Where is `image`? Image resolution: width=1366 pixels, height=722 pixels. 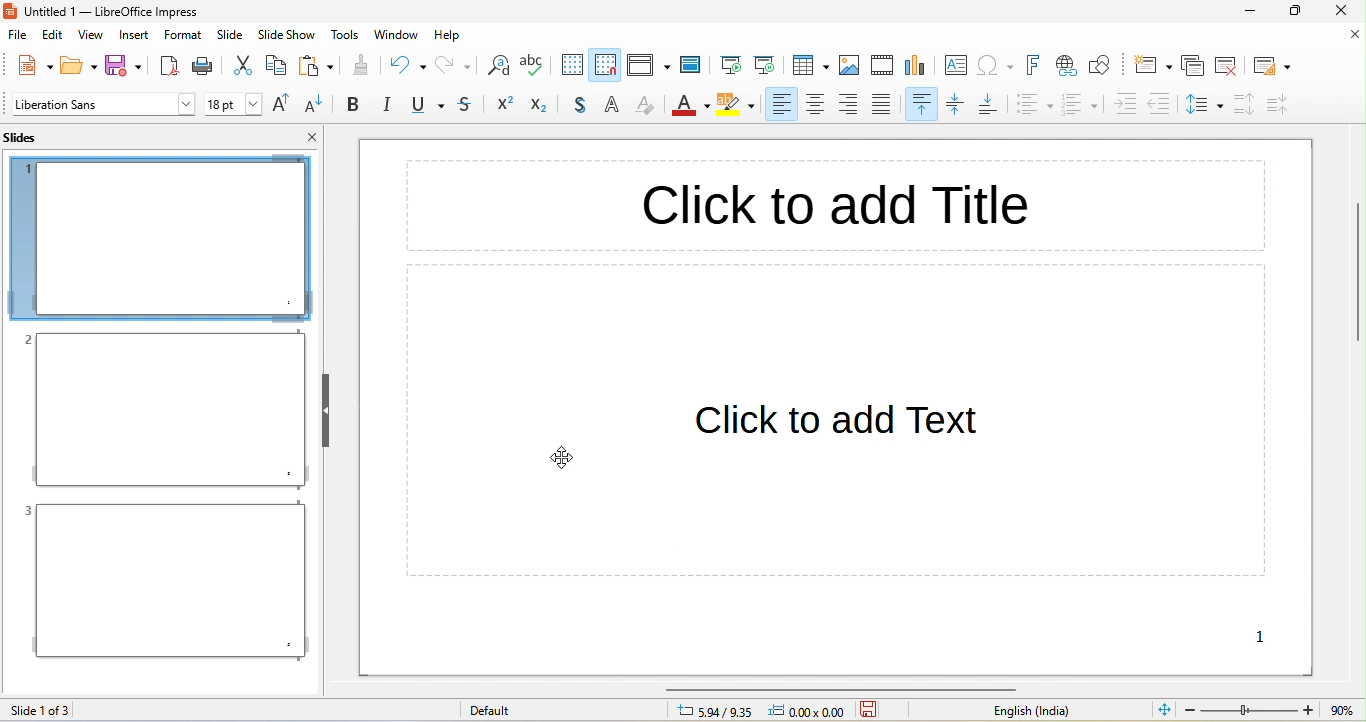 image is located at coordinates (851, 66).